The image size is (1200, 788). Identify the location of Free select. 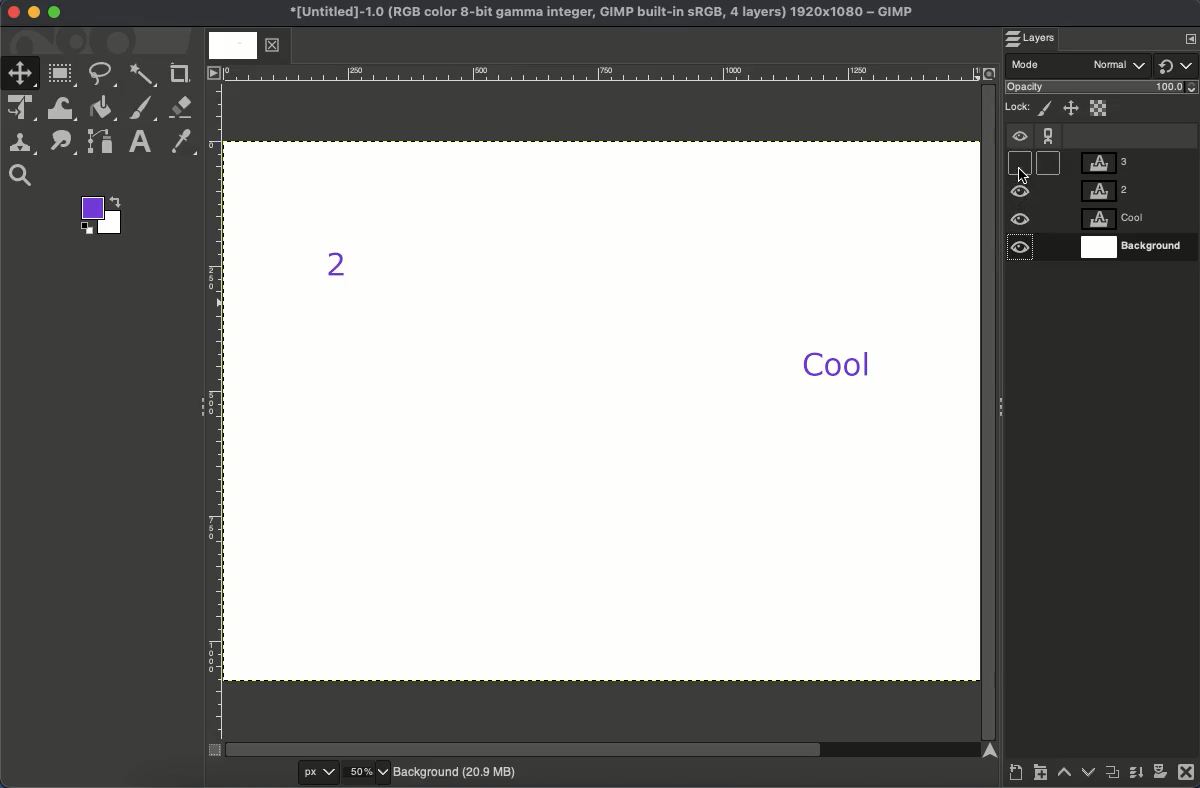
(106, 74).